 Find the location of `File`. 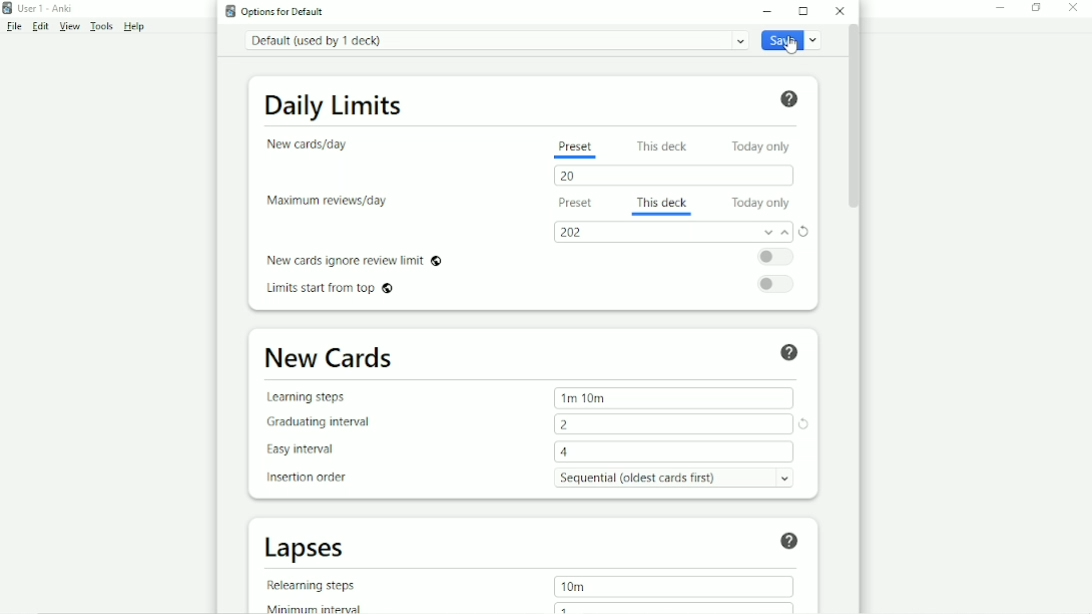

File is located at coordinates (13, 27).